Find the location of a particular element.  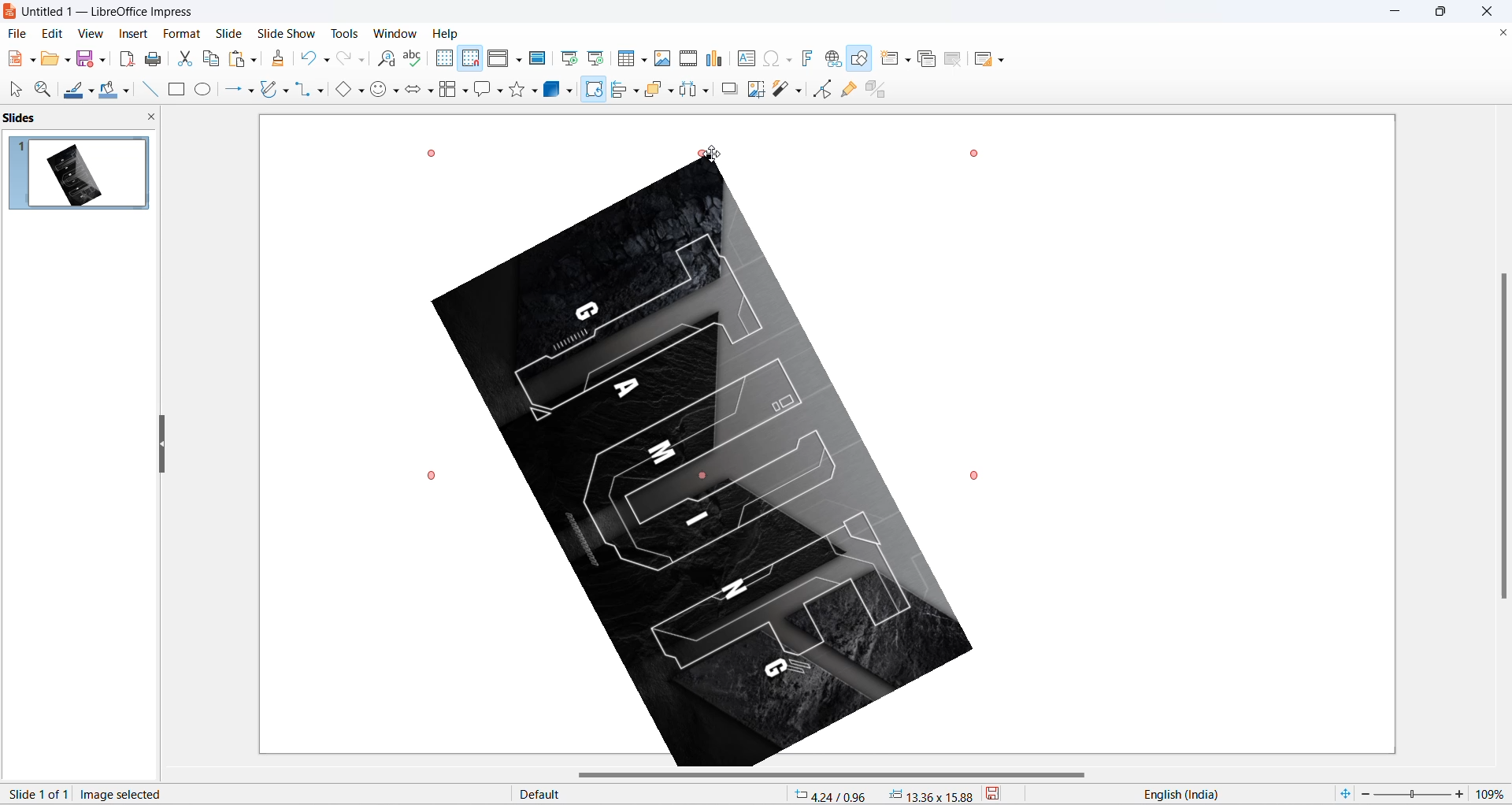

distribute objects is located at coordinates (689, 91).